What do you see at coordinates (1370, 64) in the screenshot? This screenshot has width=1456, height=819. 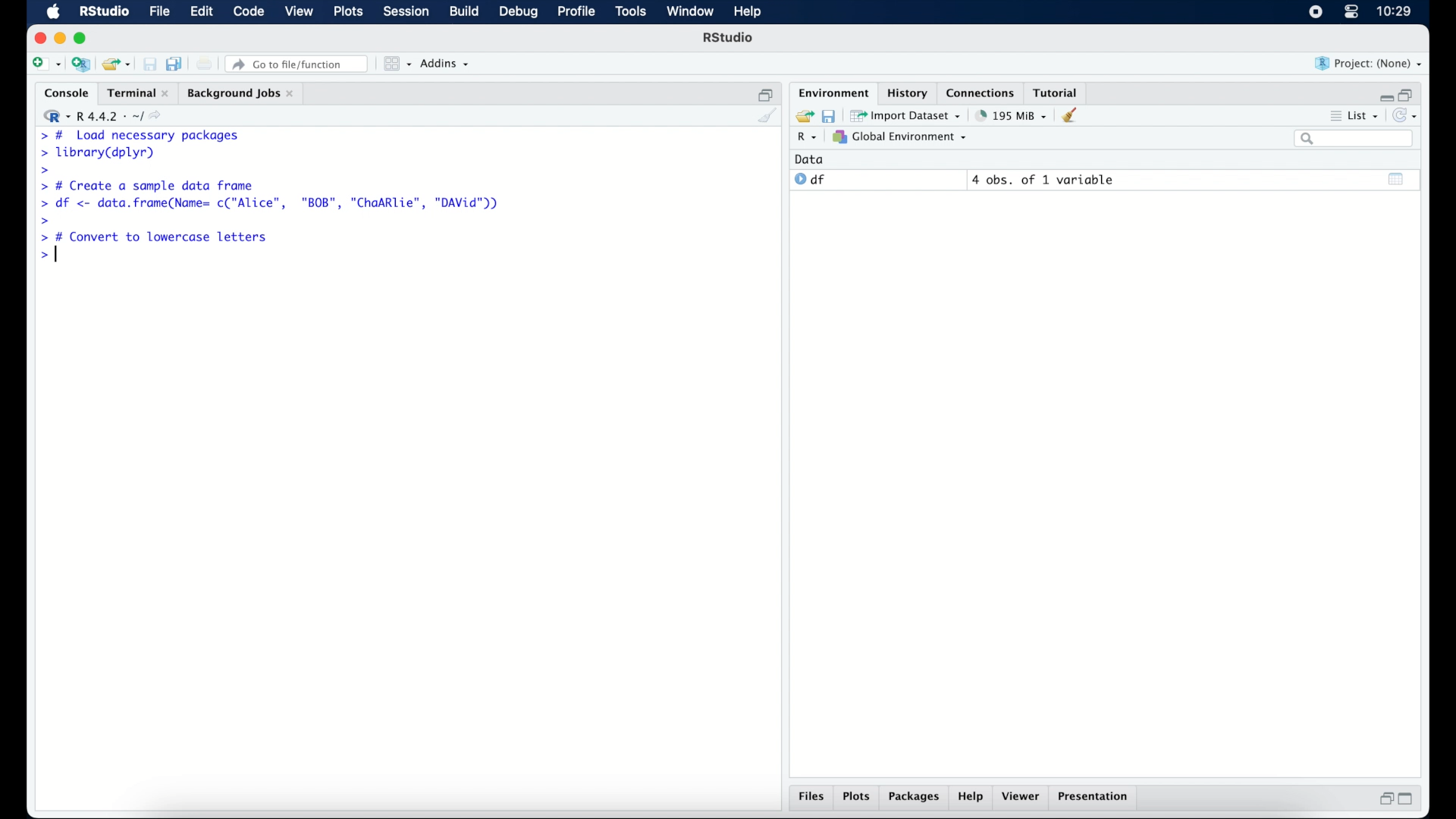 I see `project (none)` at bounding box center [1370, 64].